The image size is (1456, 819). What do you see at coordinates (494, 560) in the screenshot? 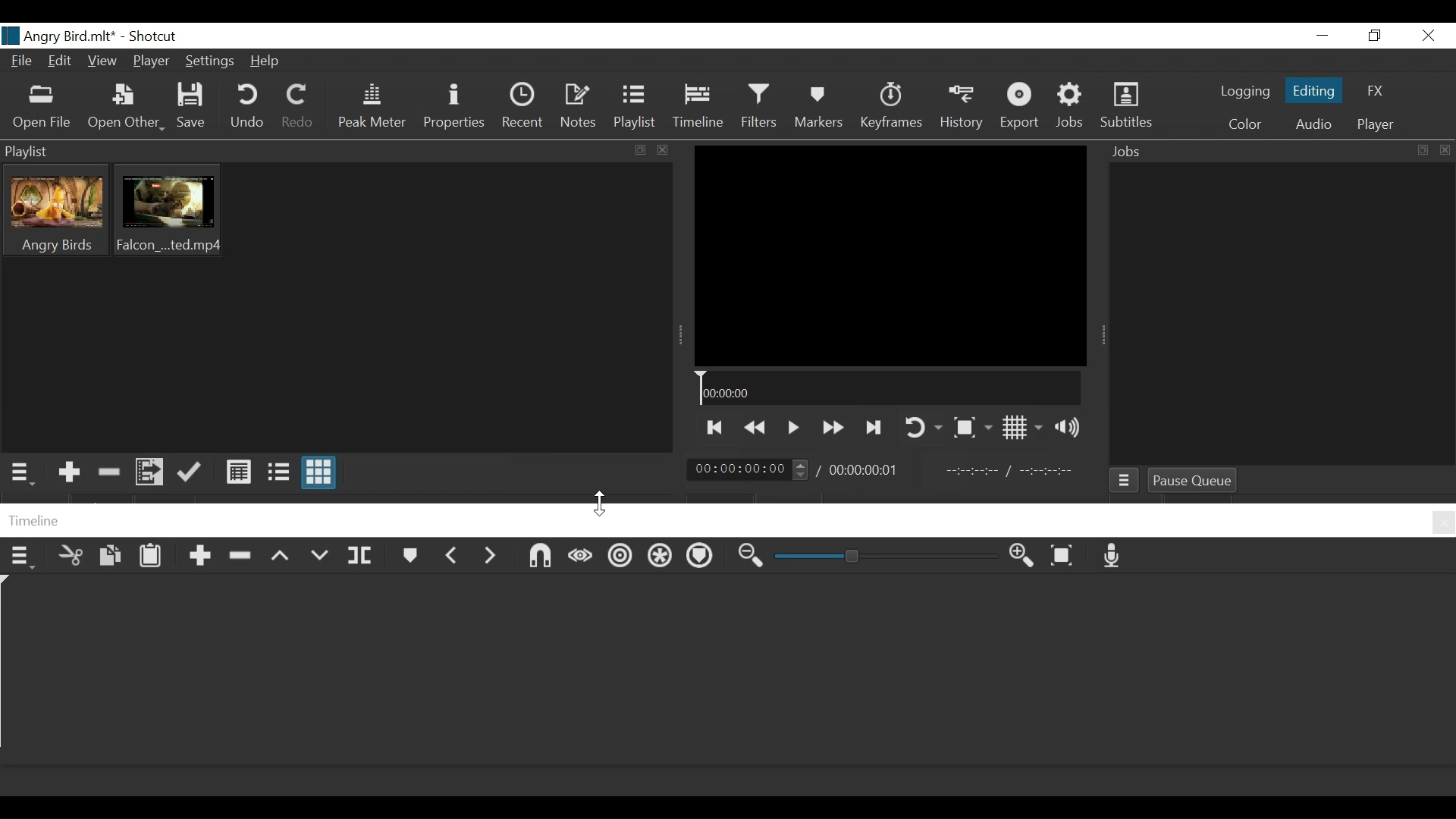
I see `Next Marker` at bounding box center [494, 560].